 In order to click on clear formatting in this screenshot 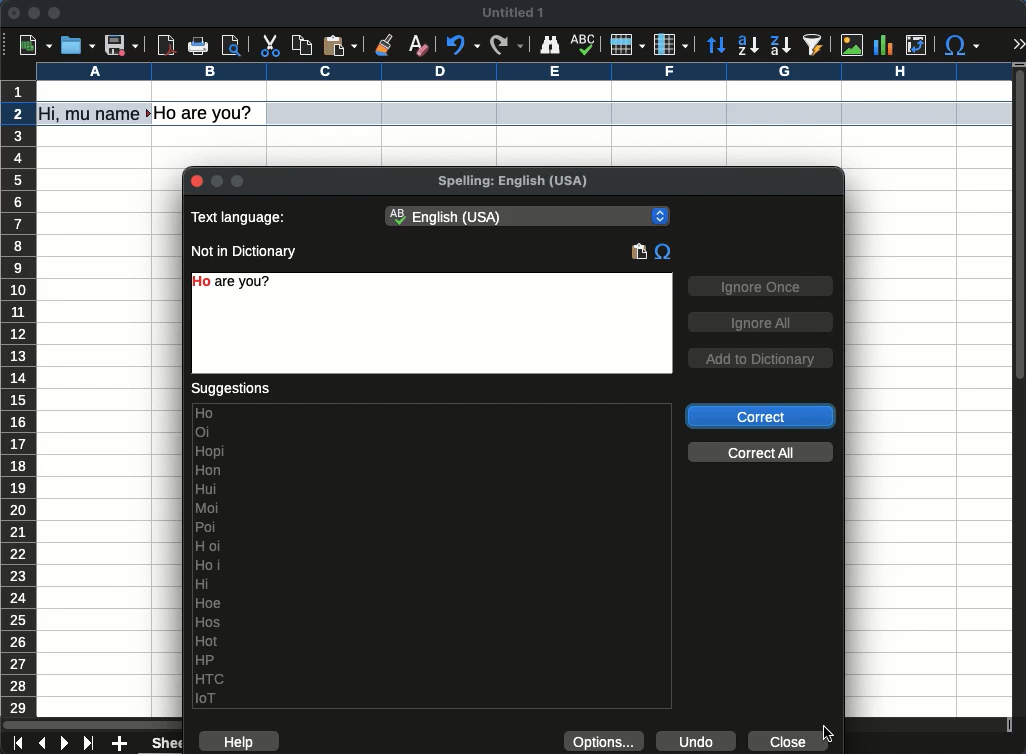, I will do `click(421, 43)`.